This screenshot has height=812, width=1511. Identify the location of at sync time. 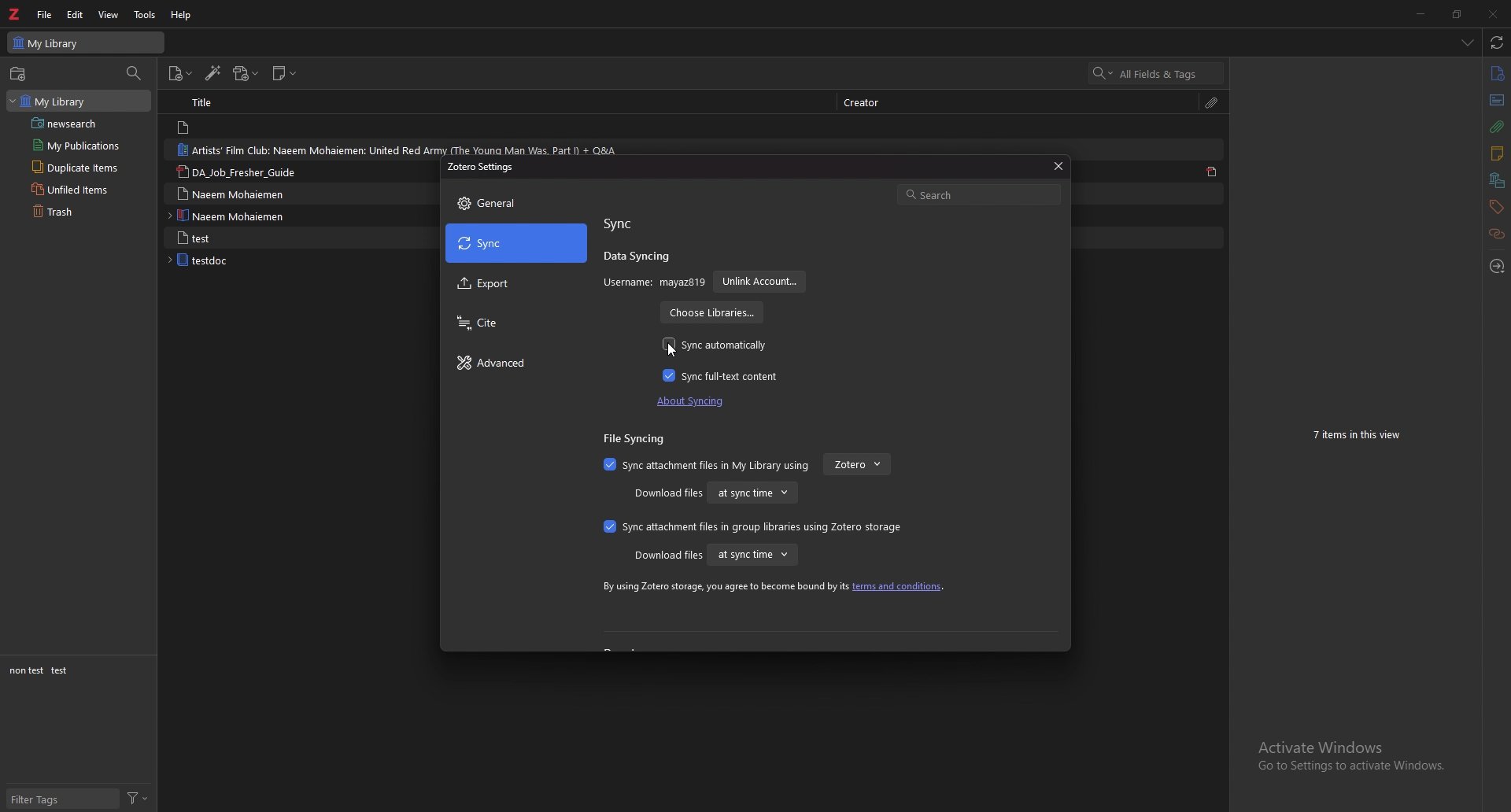
(752, 555).